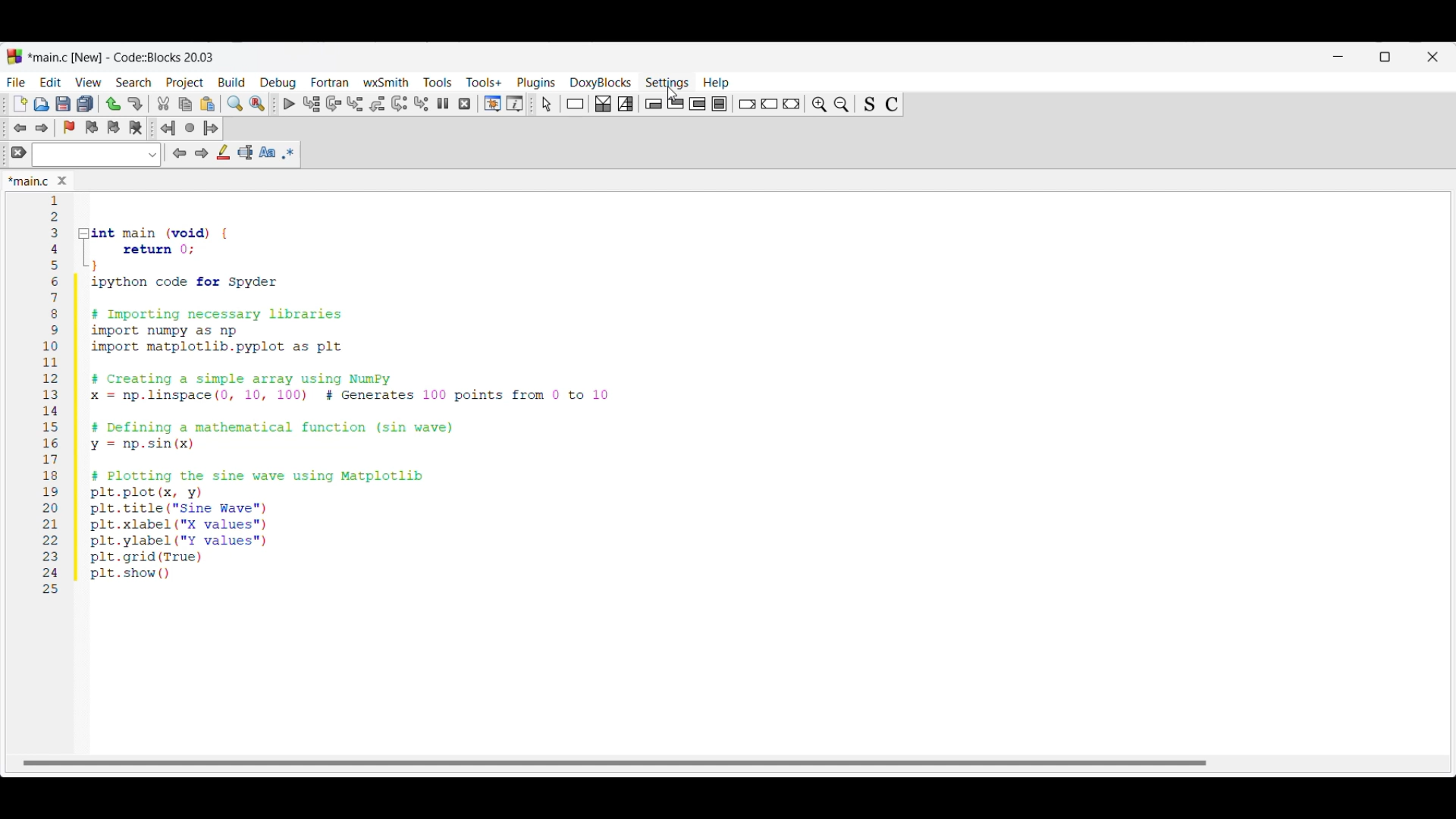  I want to click on codeblock logo, so click(14, 57).